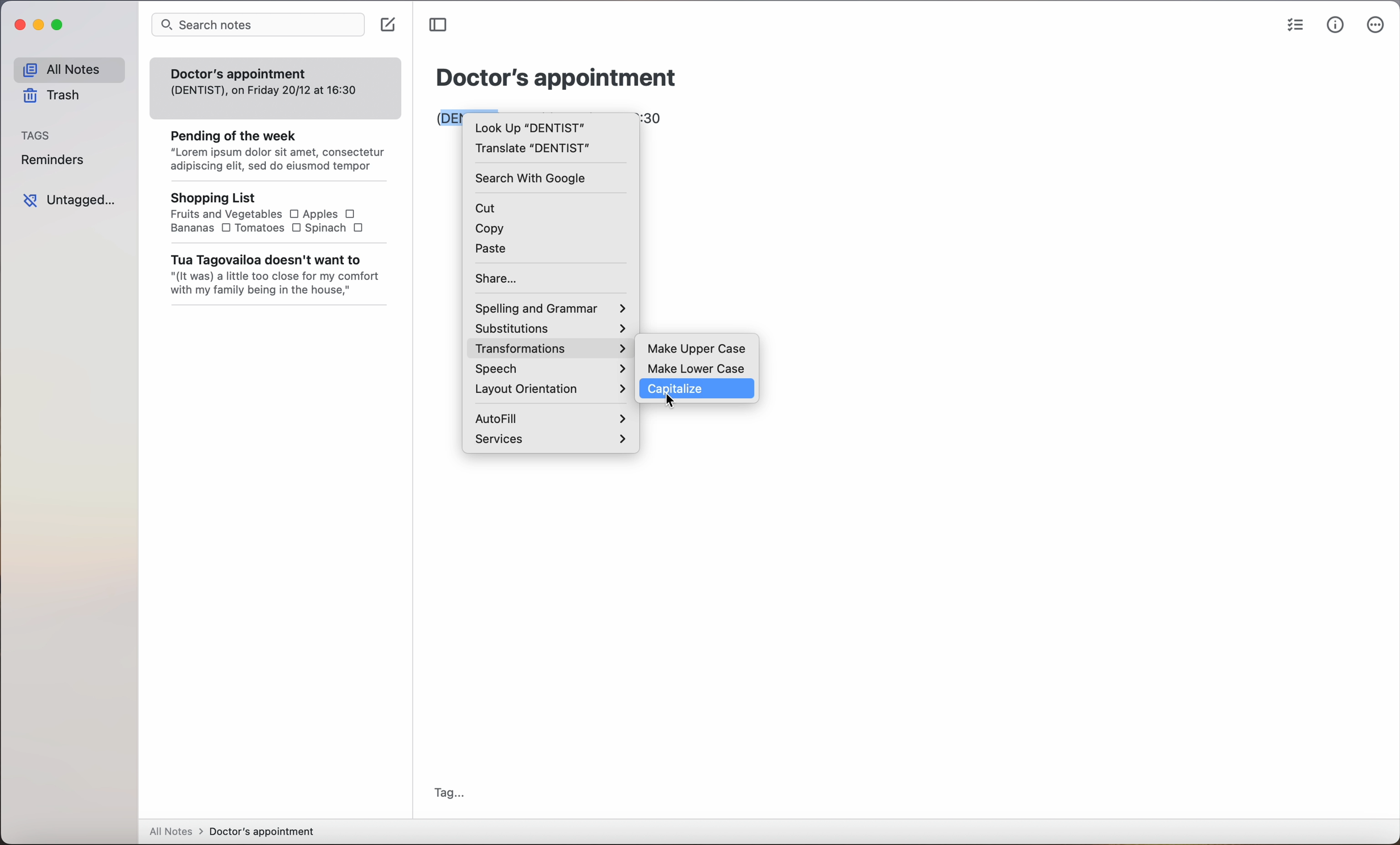 This screenshot has width=1400, height=845. I want to click on make upper case, so click(699, 348).